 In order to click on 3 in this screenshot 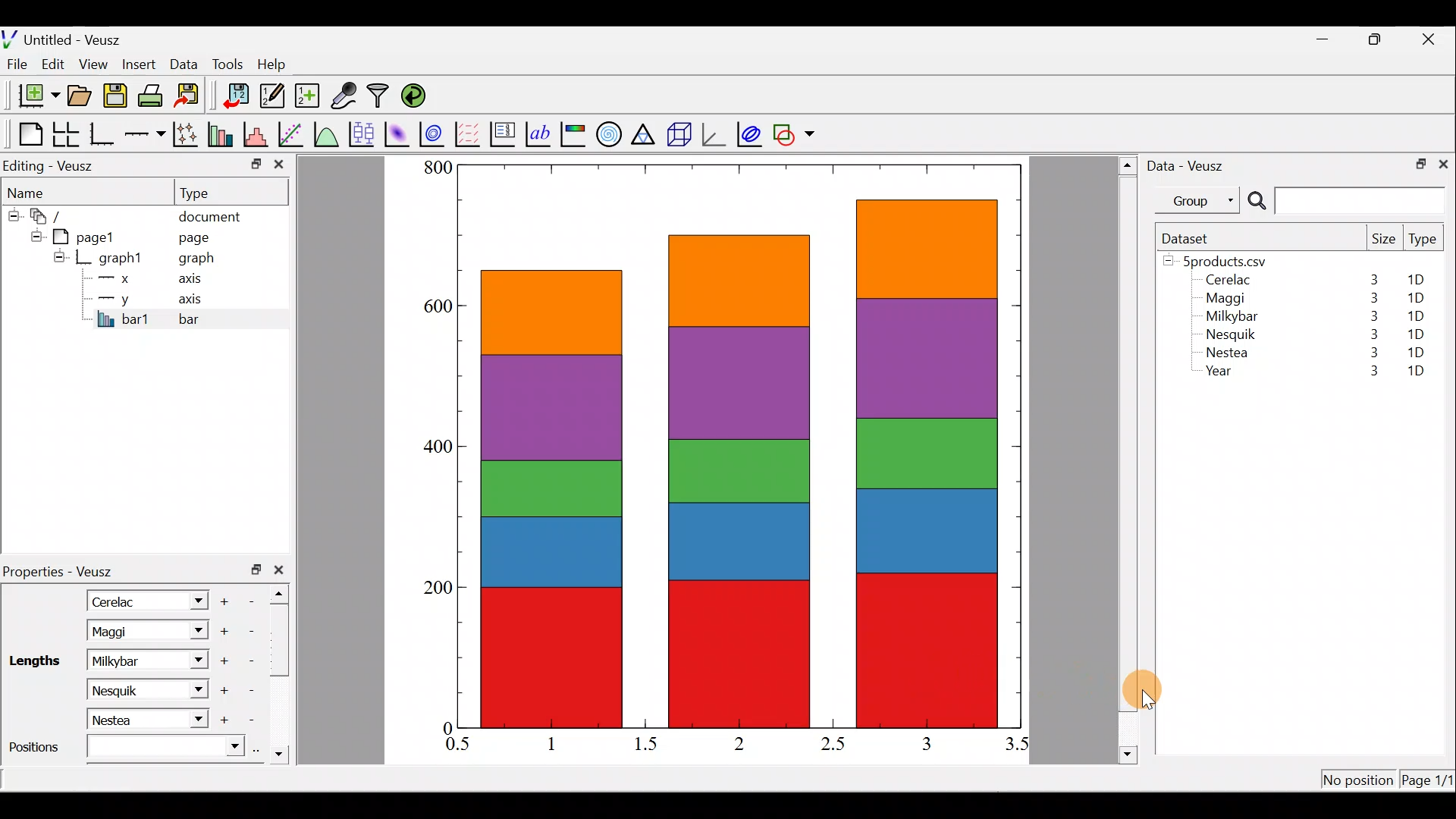, I will do `click(1371, 316)`.